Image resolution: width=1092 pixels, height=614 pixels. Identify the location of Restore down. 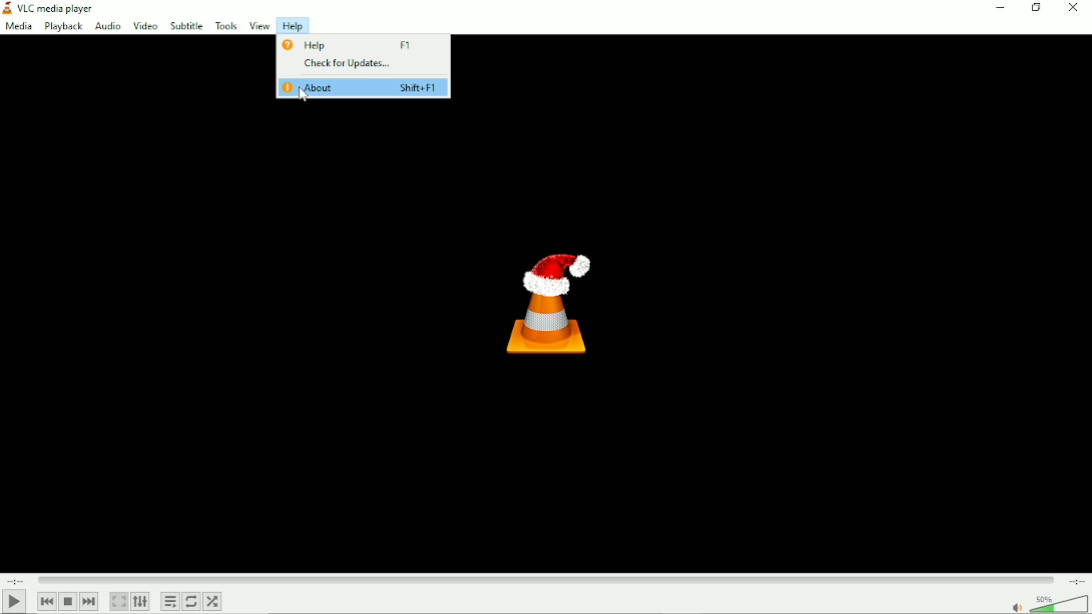
(1035, 10).